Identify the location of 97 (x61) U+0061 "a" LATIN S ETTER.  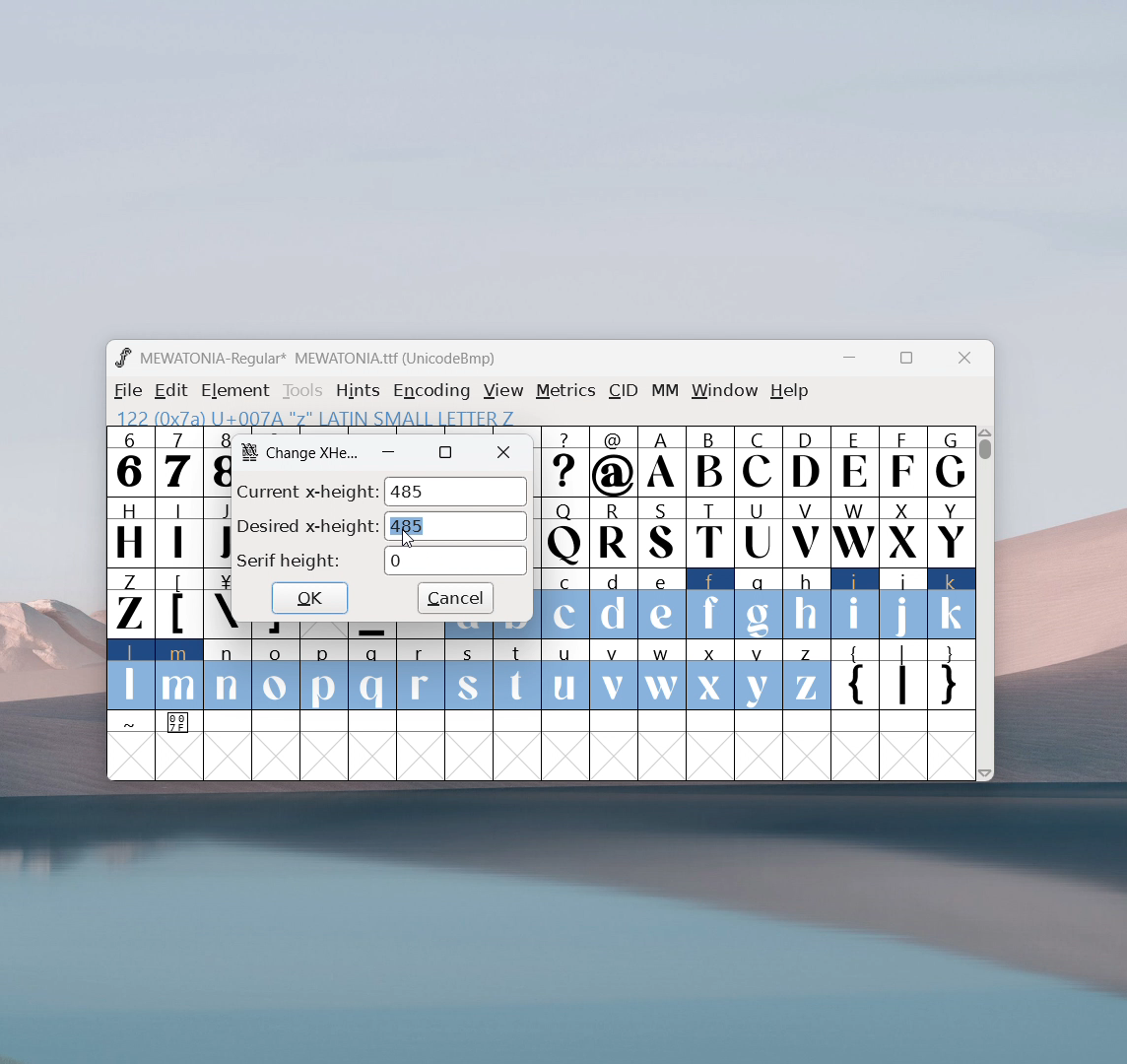
(310, 416).